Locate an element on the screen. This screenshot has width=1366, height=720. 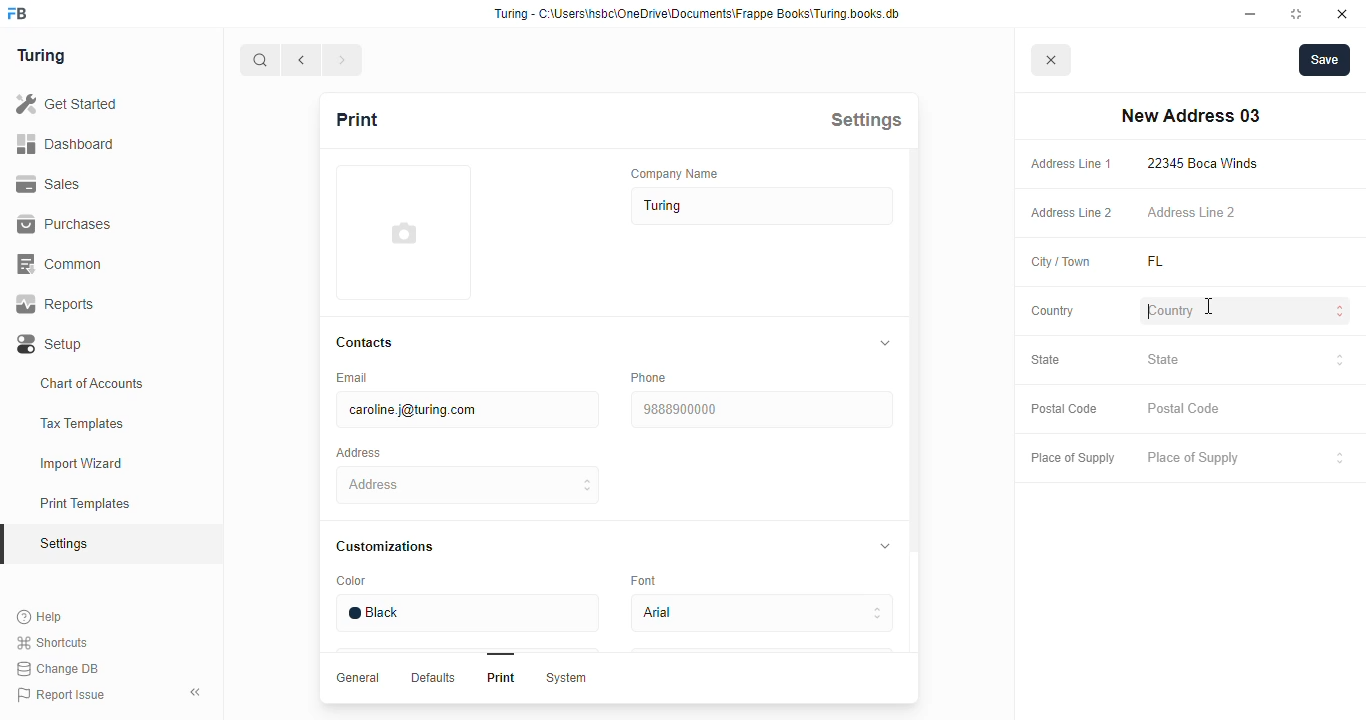
get started is located at coordinates (66, 104).